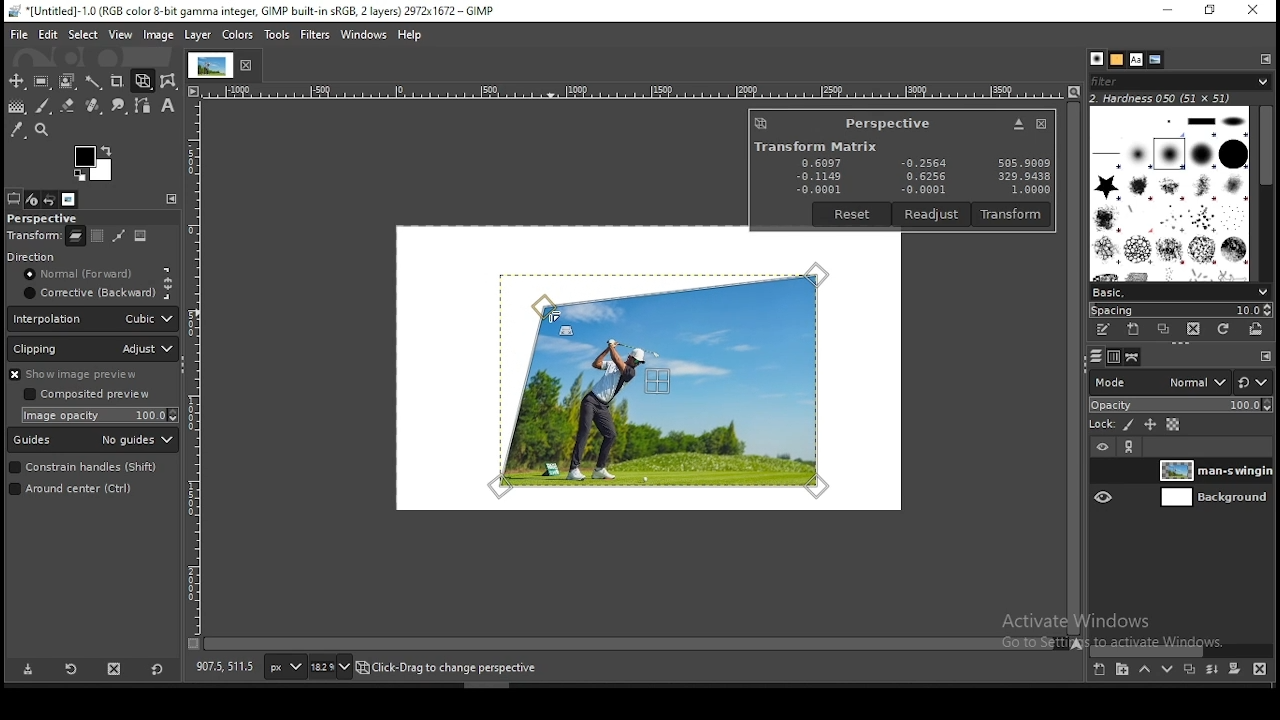 The height and width of the screenshot is (720, 1280). What do you see at coordinates (94, 163) in the screenshot?
I see `colors` at bounding box center [94, 163].